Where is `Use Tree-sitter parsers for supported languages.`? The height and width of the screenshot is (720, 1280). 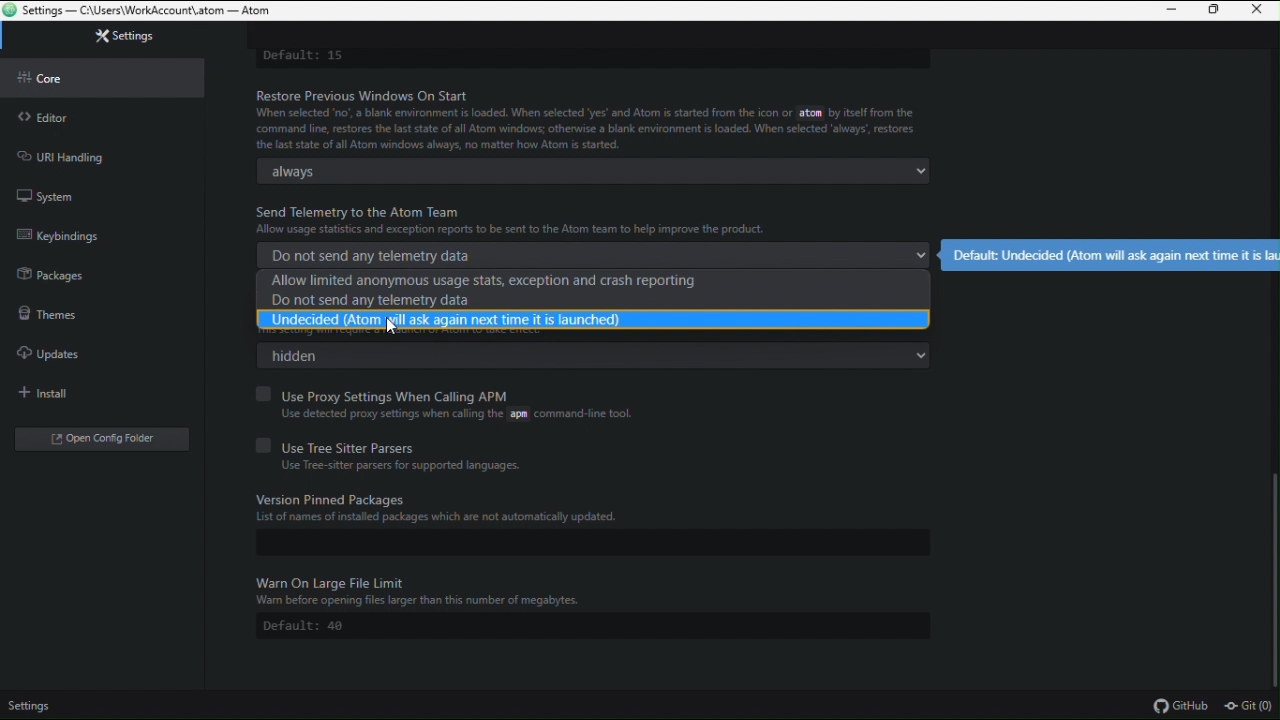
Use Tree-sitter parsers for supported languages. is located at coordinates (404, 466).